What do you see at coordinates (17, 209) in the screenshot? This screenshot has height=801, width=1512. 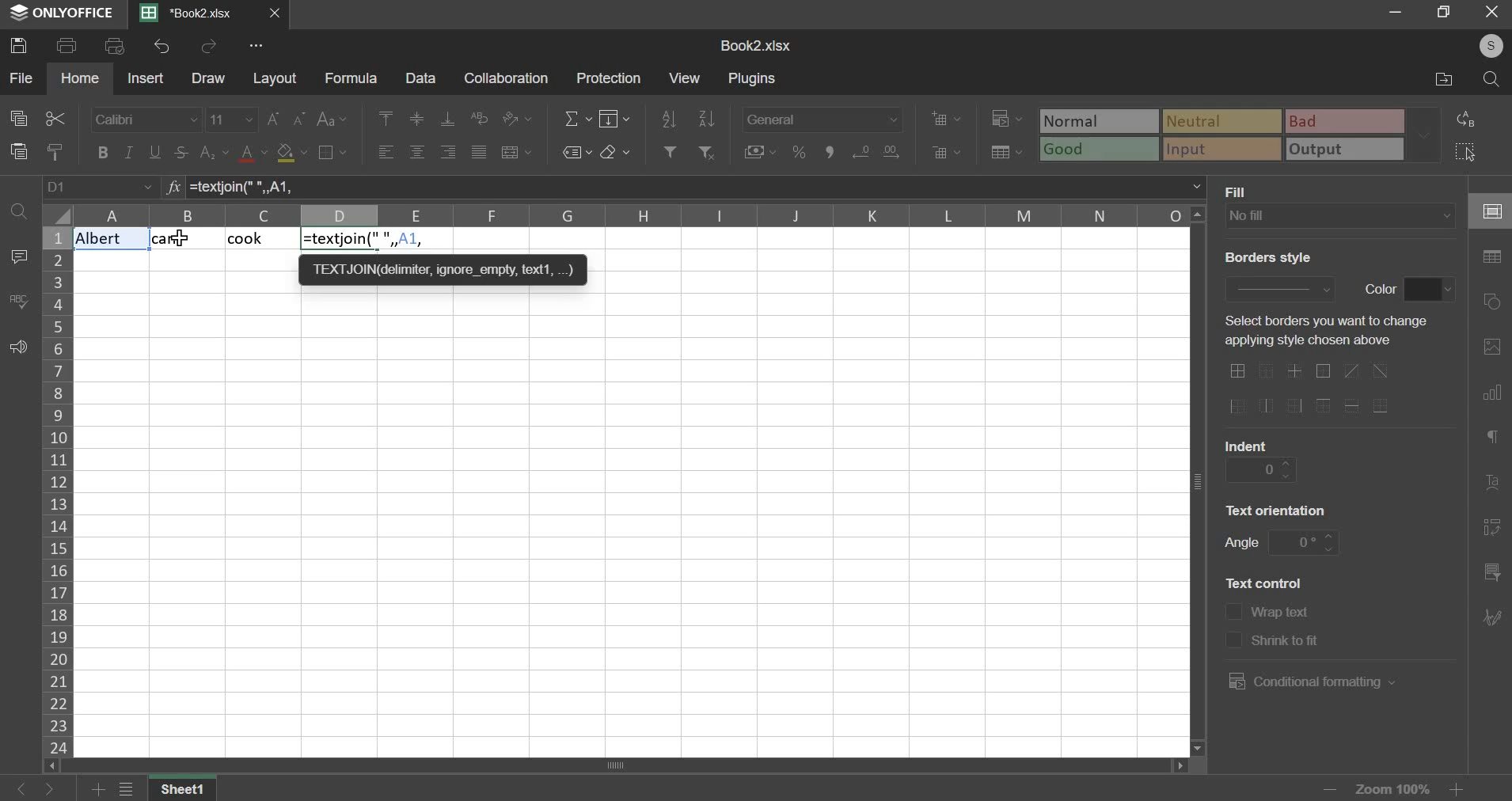 I see `find` at bounding box center [17, 209].